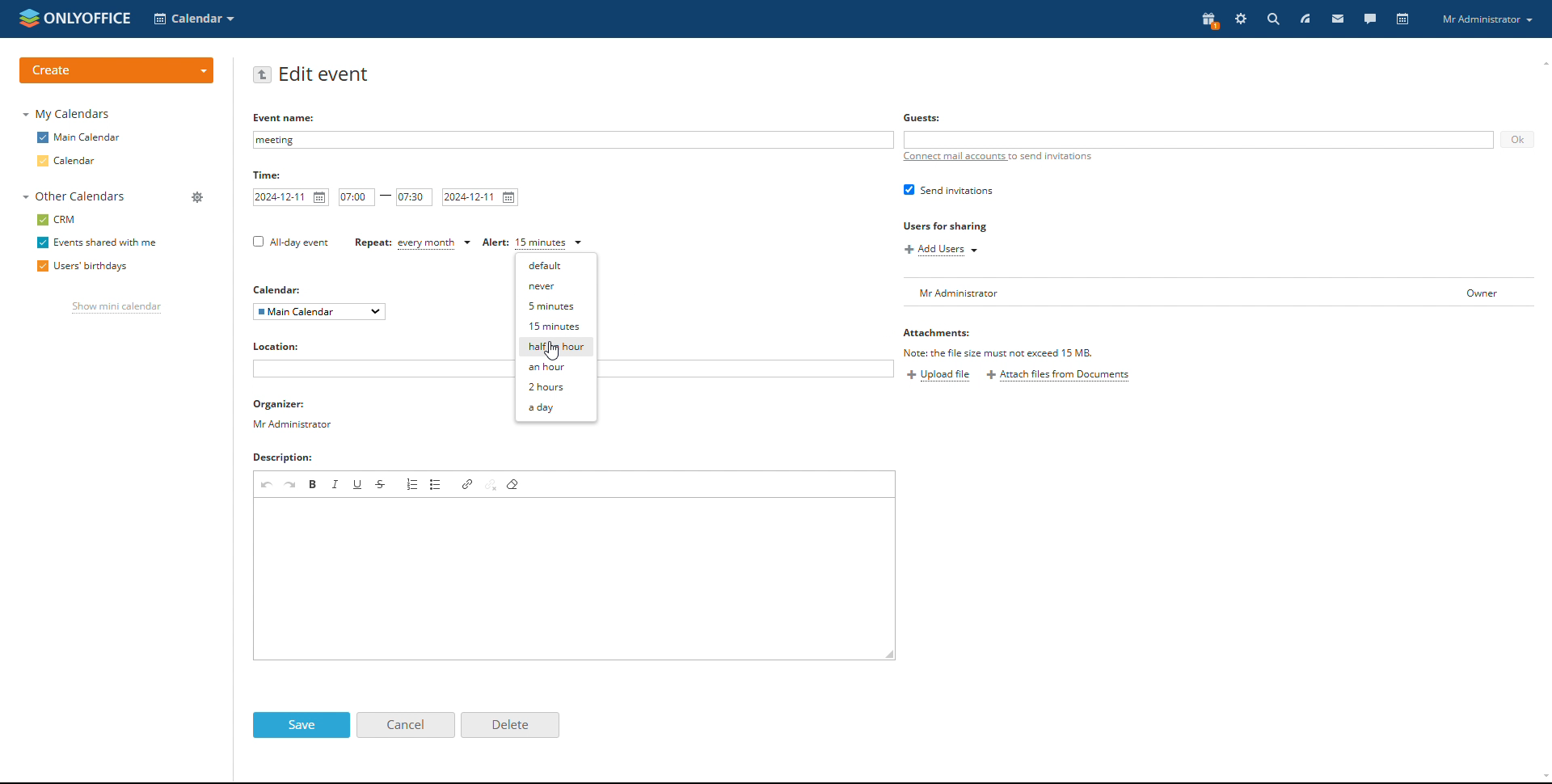 The height and width of the screenshot is (784, 1552). What do you see at coordinates (481, 197) in the screenshot?
I see `end date` at bounding box center [481, 197].